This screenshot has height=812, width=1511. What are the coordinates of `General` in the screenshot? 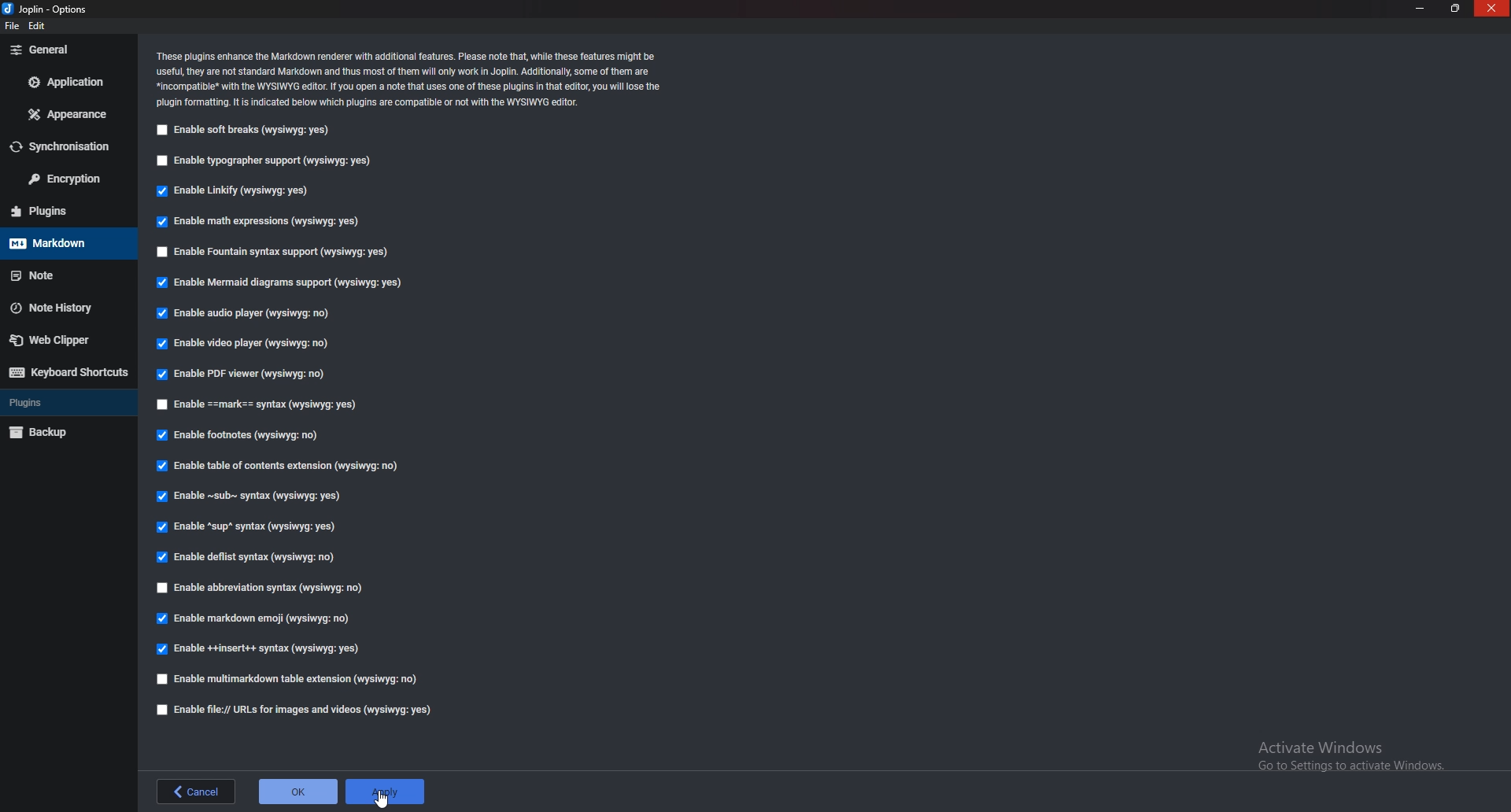 It's located at (65, 50).